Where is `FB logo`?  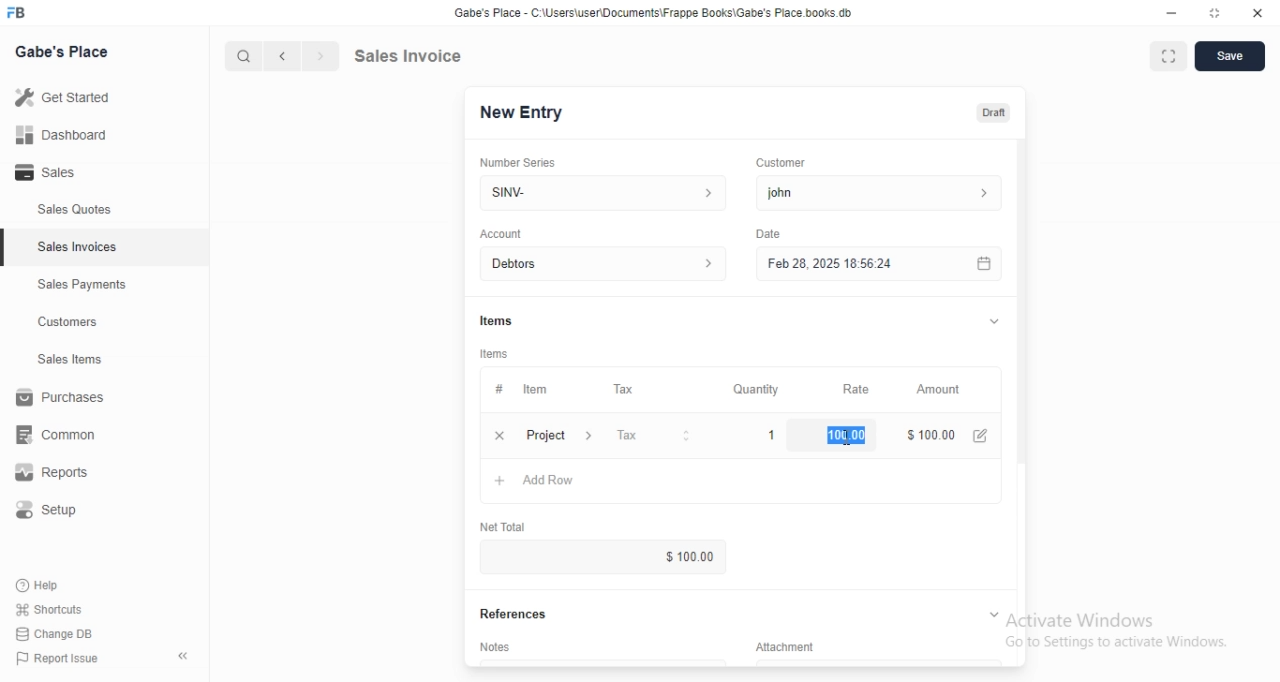 FB logo is located at coordinates (20, 13).